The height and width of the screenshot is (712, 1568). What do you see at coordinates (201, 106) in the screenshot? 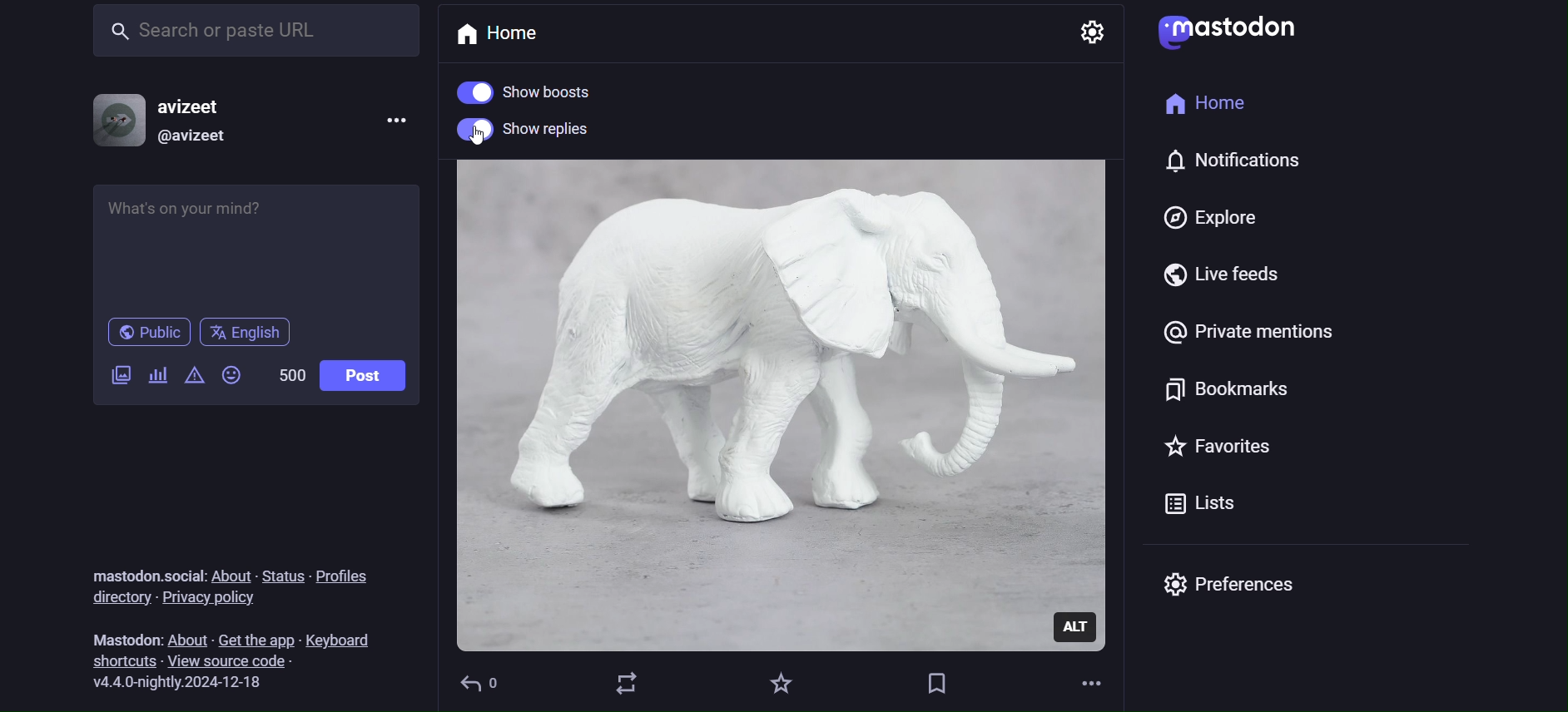
I see `username` at bounding box center [201, 106].